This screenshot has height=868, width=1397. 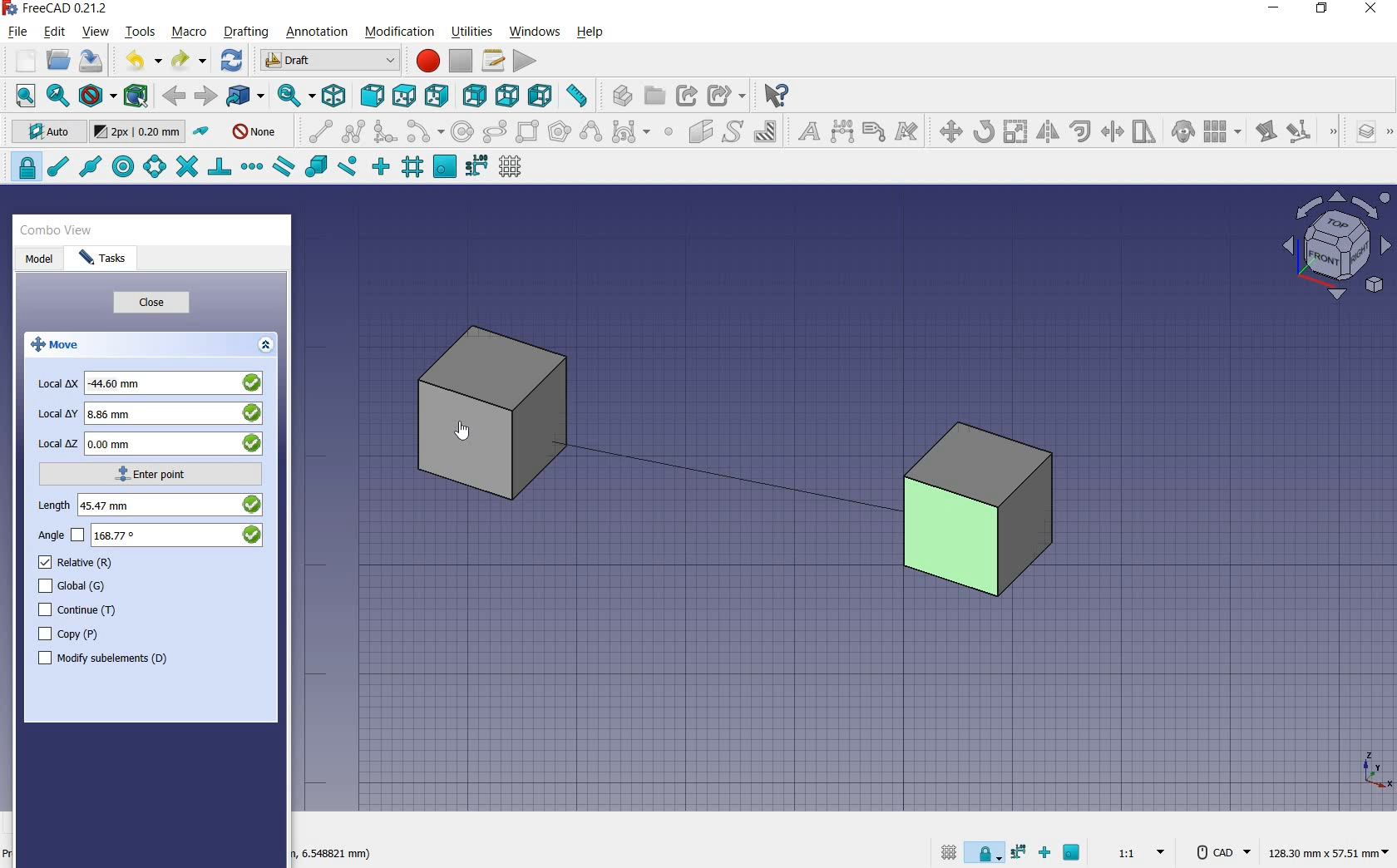 I want to click on utilities, so click(x=474, y=31).